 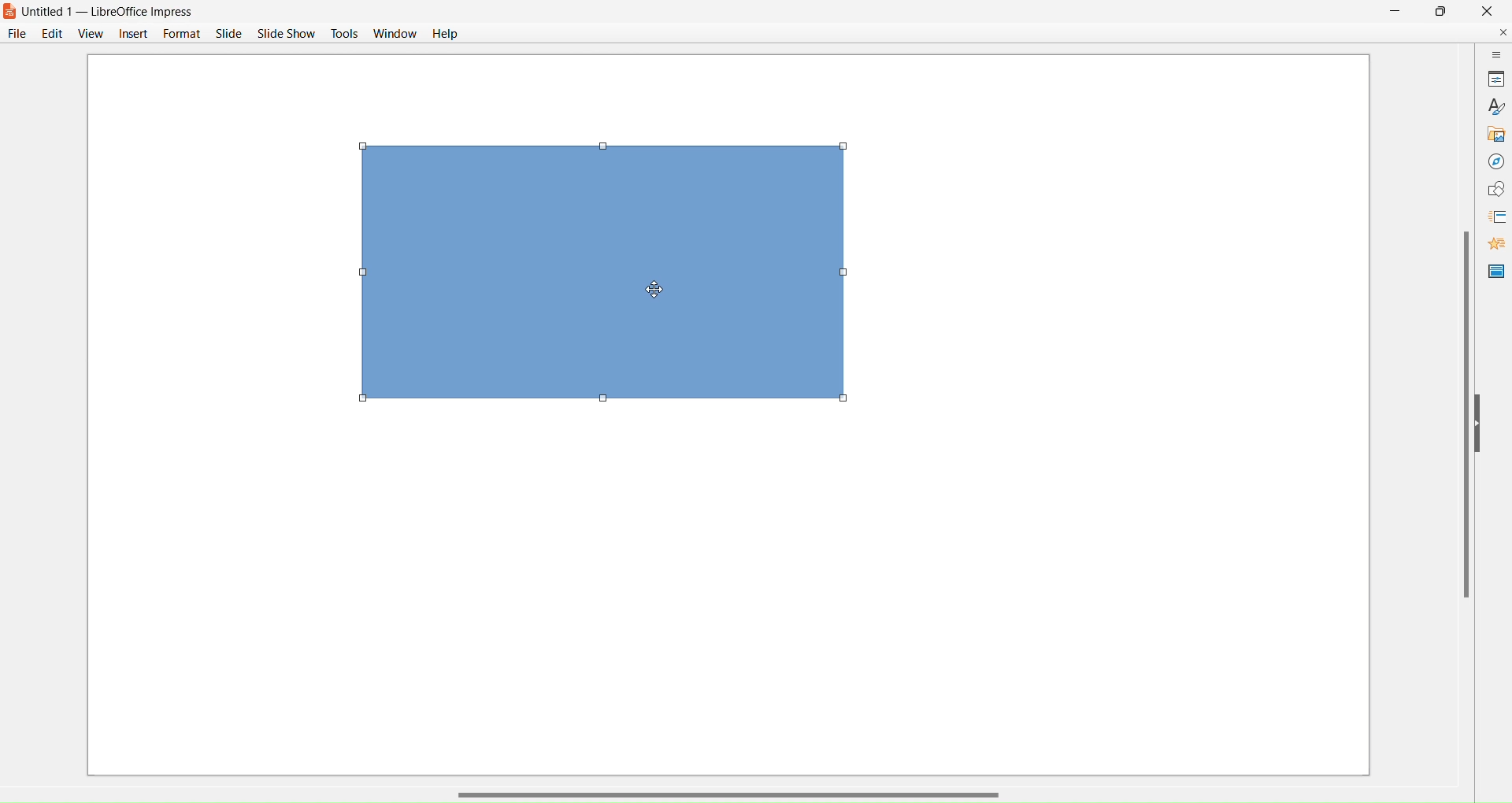 I want to click on File, so click(x=16, y=33).